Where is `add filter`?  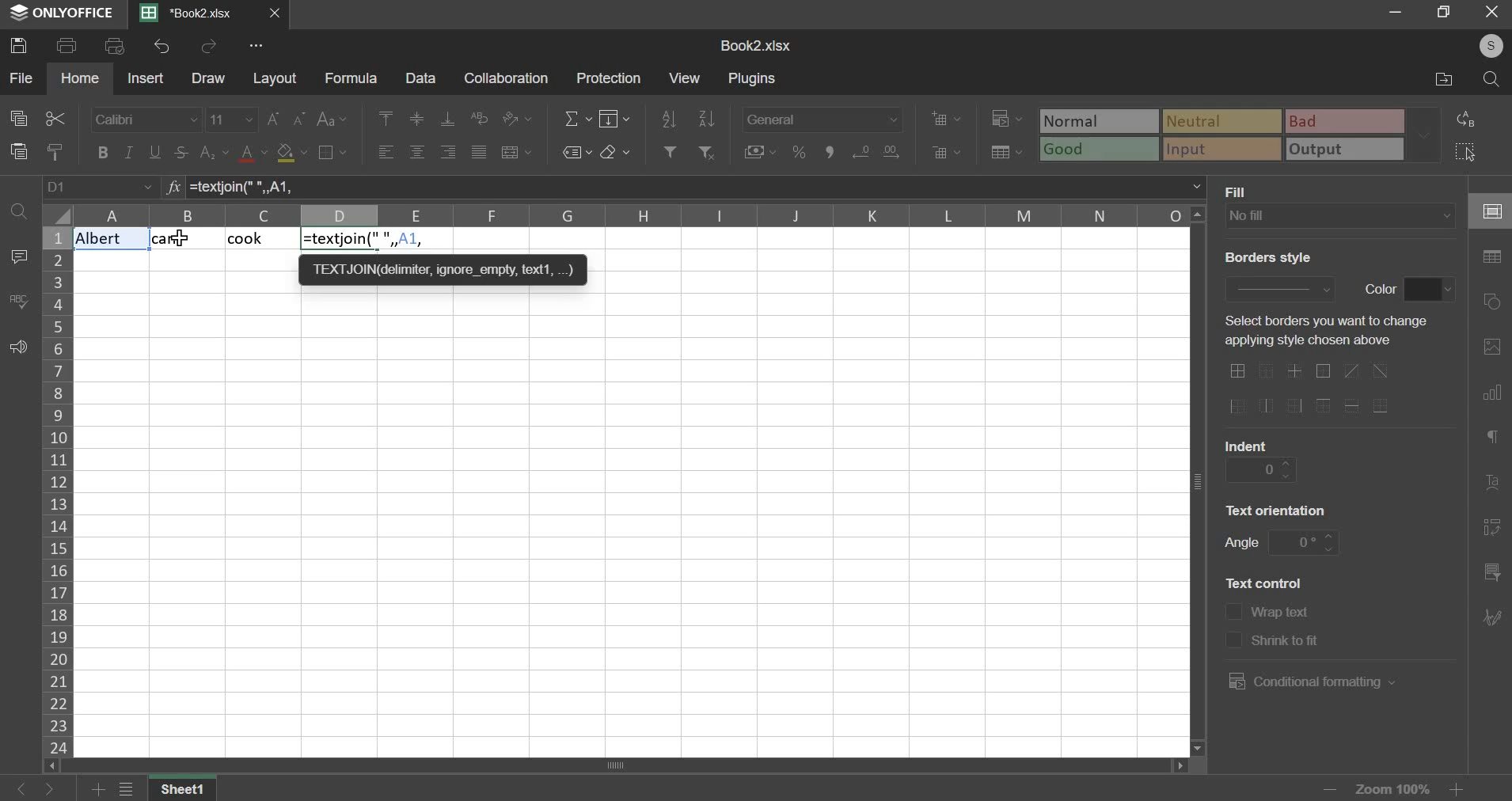
add filter is located at coordinates (668, 150).